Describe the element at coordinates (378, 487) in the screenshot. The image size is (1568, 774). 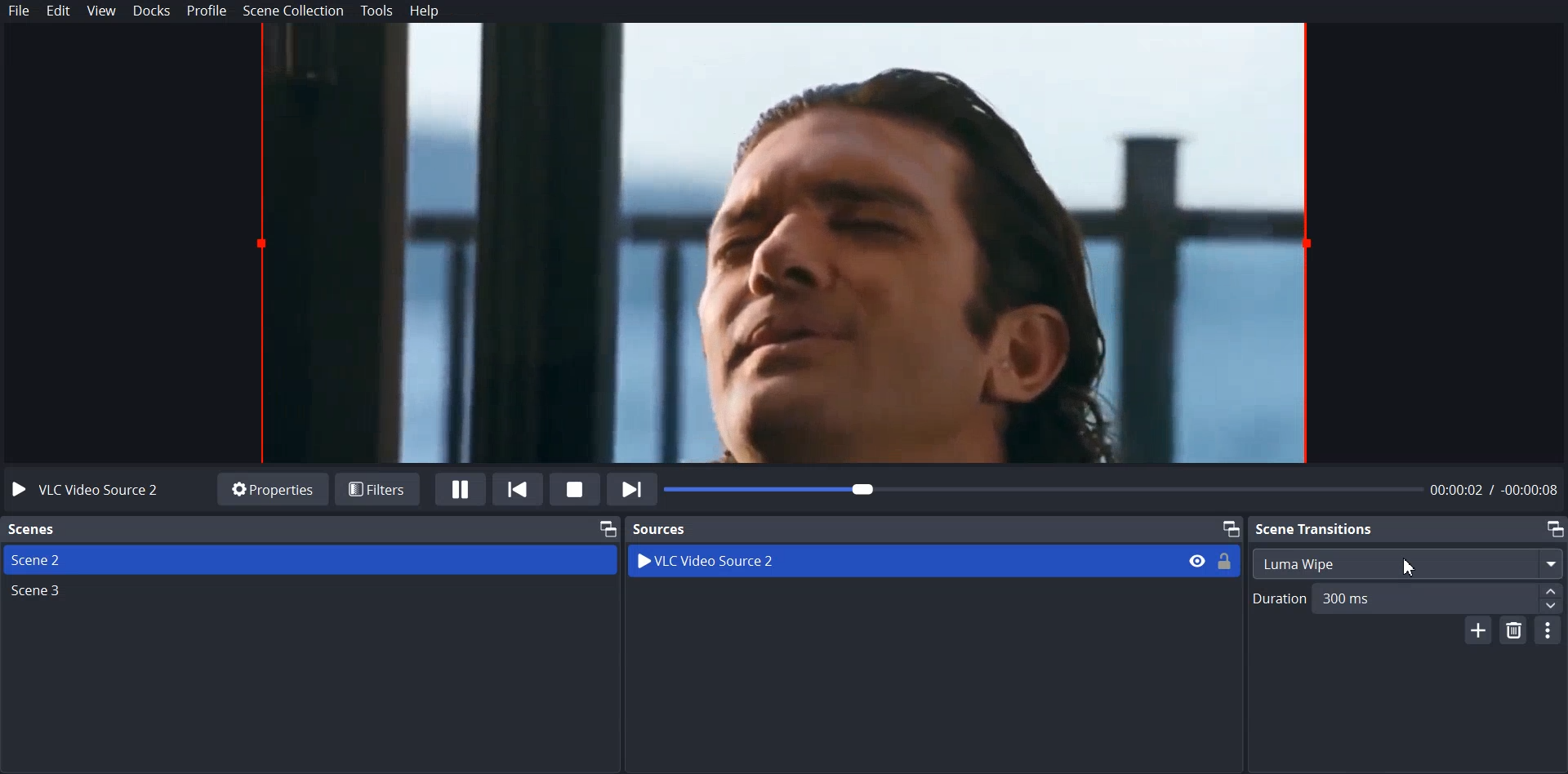
I see `Filters` at that location.